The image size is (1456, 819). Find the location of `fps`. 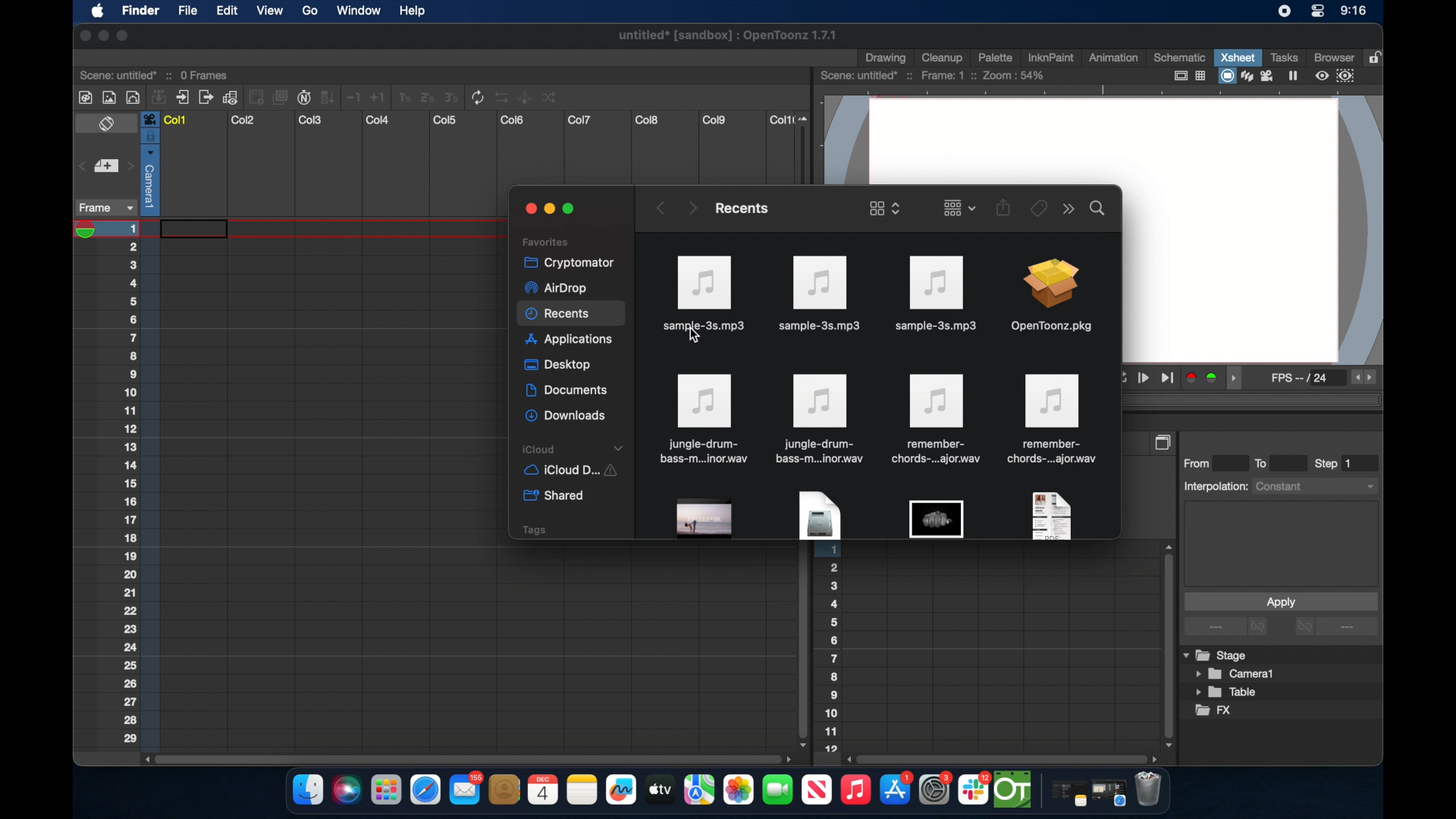

fps is located at coordinates (1301, 381).